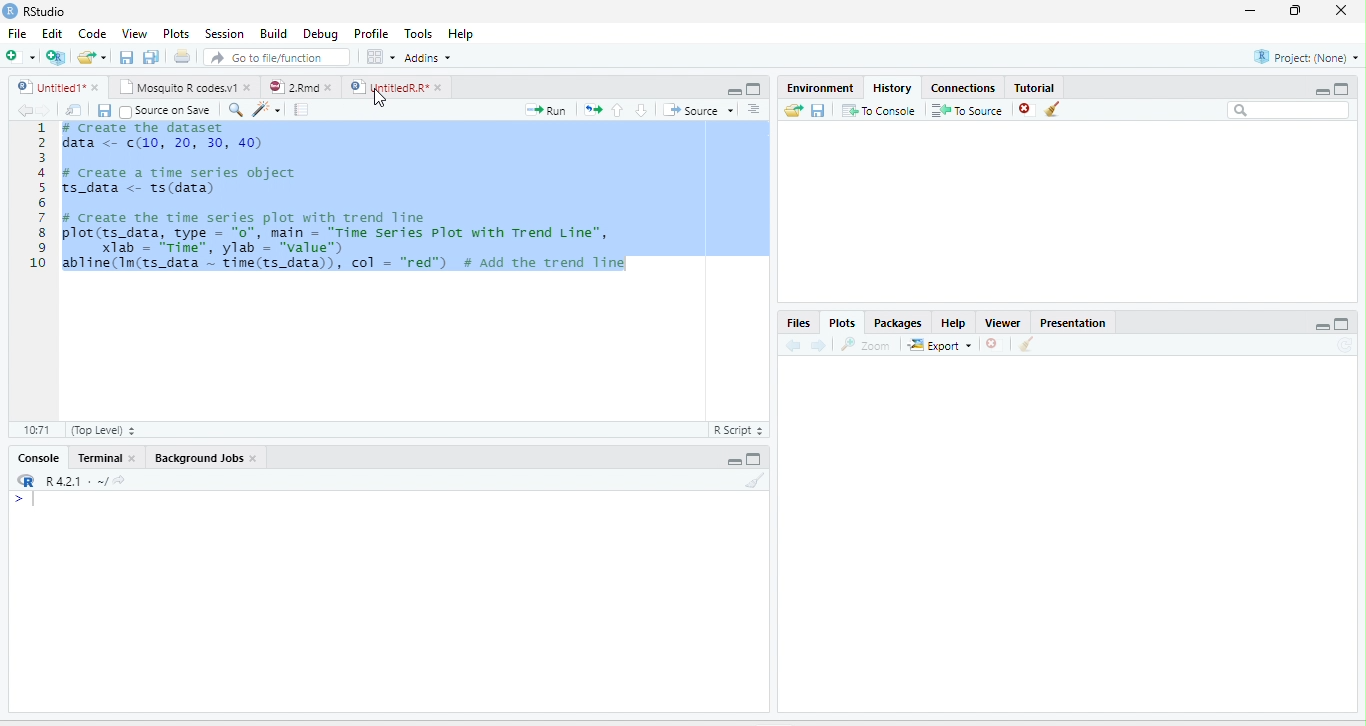 The image size is (1366, 726). What do you see at coordinates (733, 92) in the screenshot?
I see `Minimize` at bounding box center [733, 92].